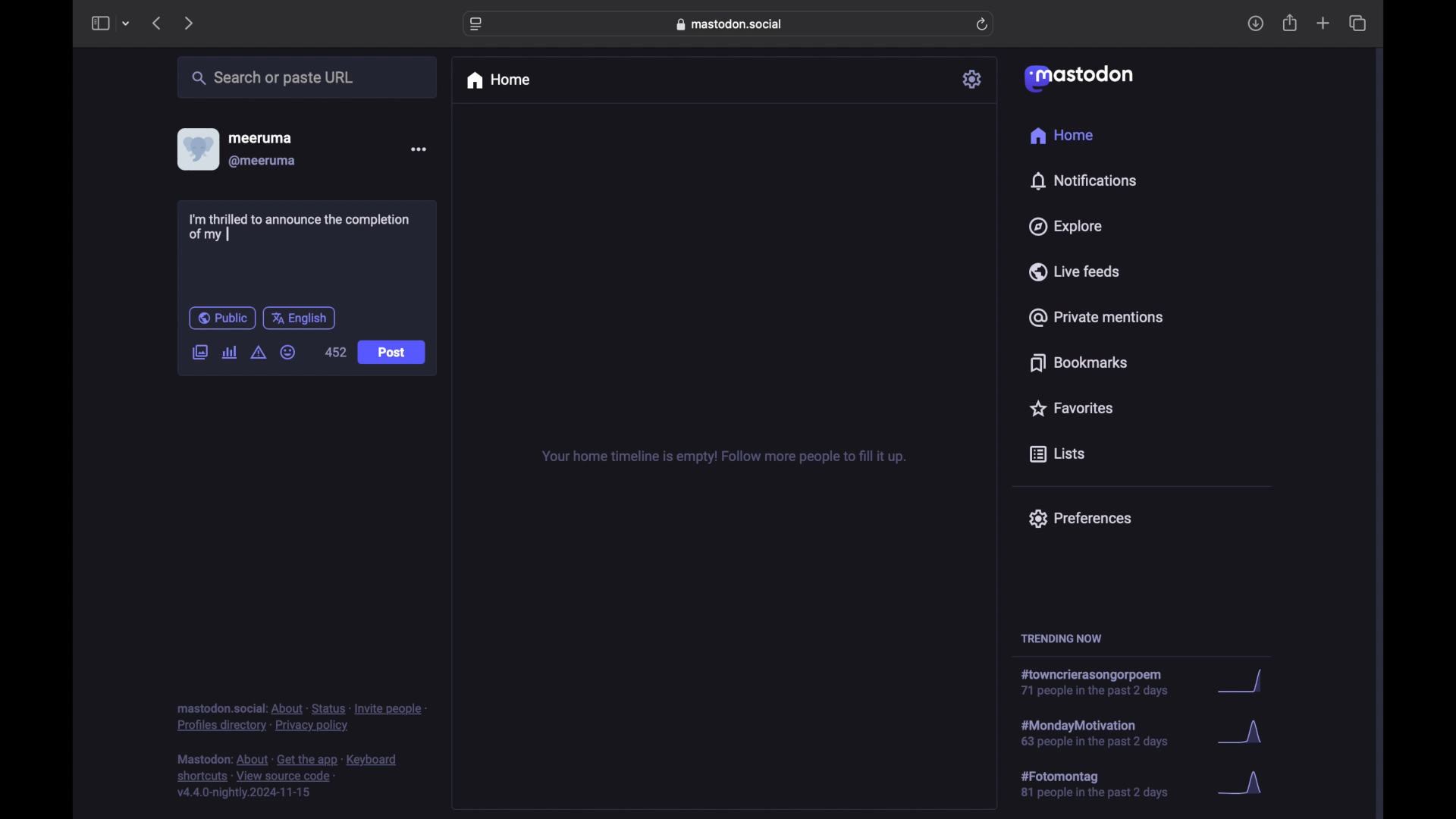 This screenshot has height=819, width=1456. I want to click on hashtag trend, so click(1100, 682).